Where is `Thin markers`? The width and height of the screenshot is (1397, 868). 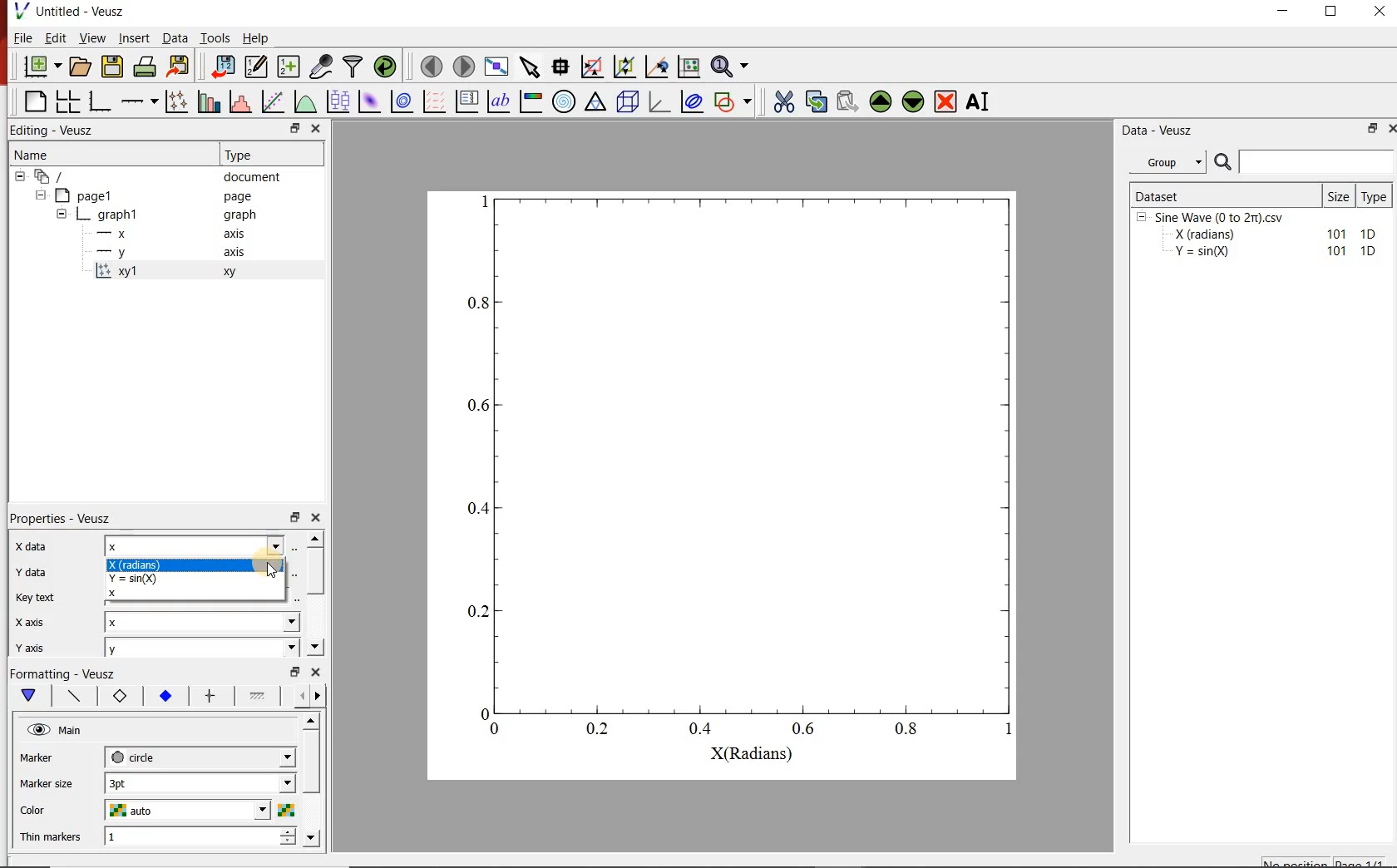 Thin markers is located at coordinates (51, 836).